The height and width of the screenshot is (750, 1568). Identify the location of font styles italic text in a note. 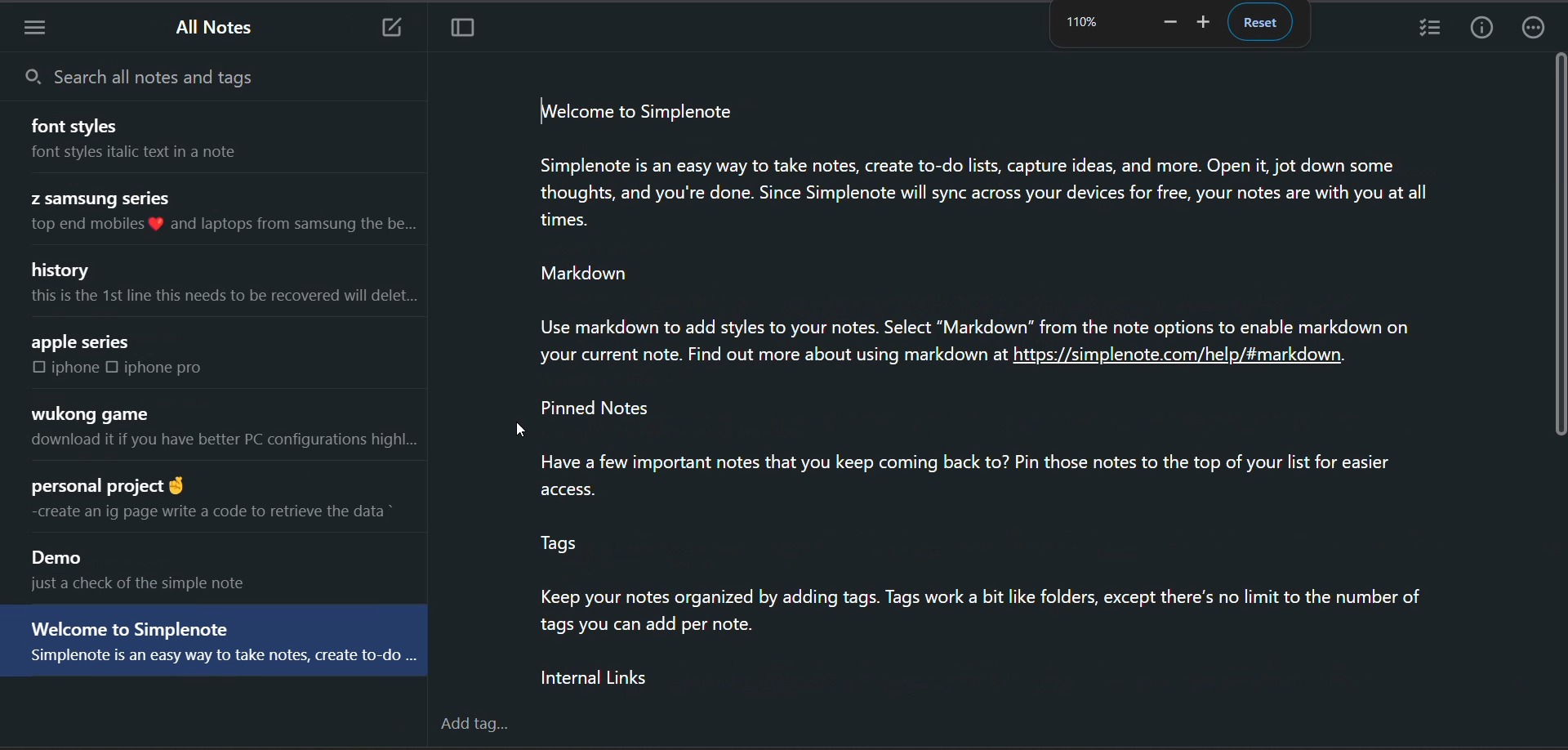
(155, 157).